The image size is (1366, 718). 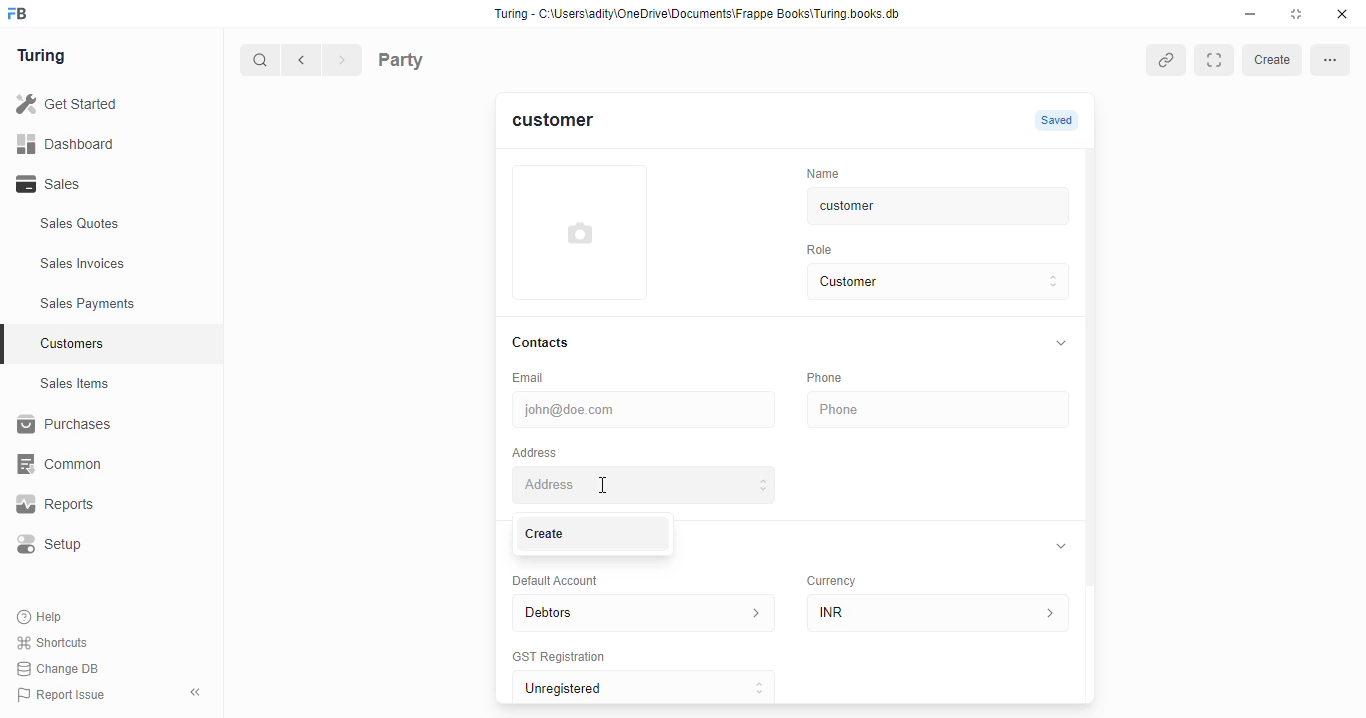 I want to click on customer, so click(x=565, y=125).